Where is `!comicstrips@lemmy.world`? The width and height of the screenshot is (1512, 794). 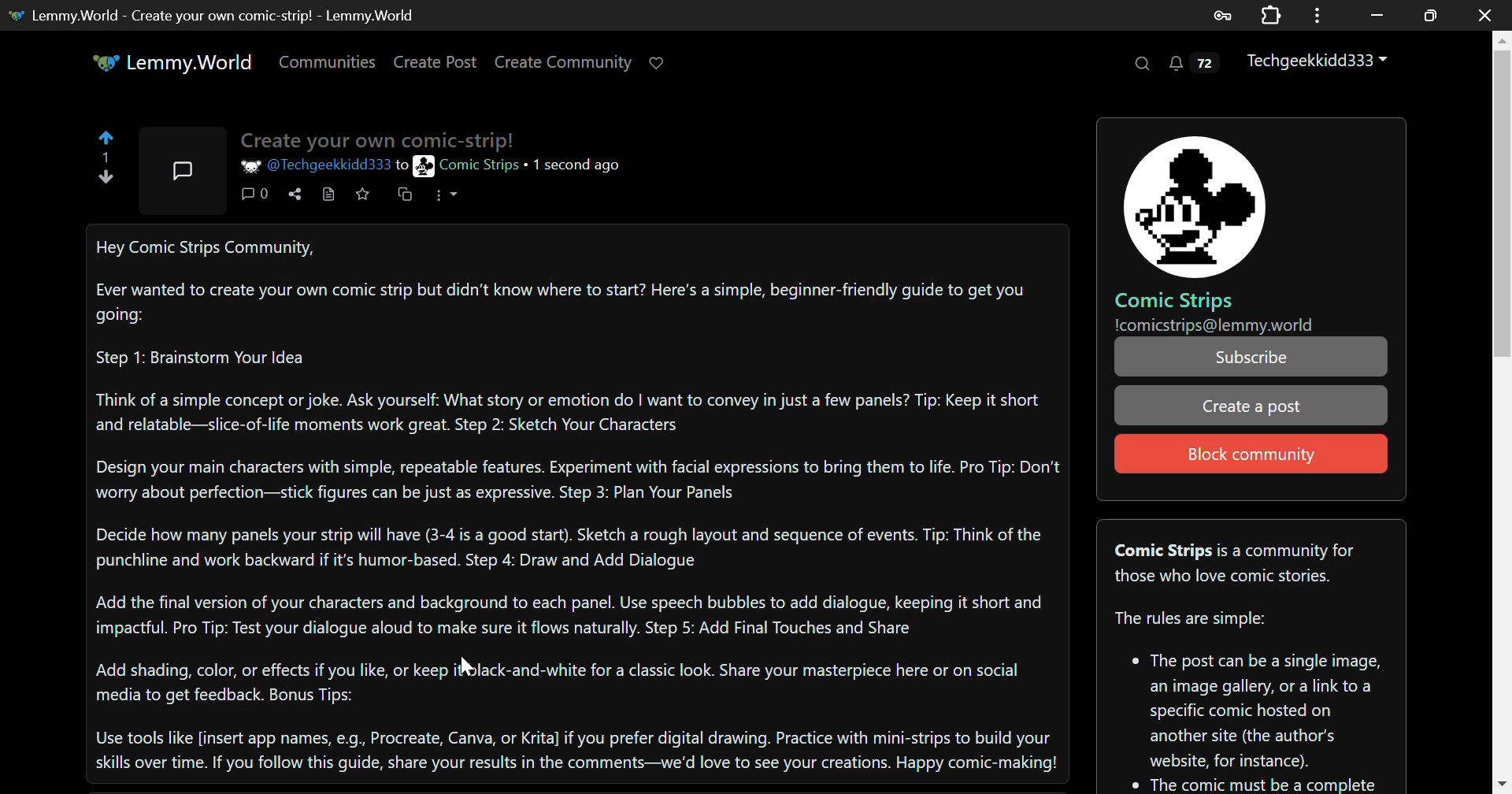 !comicstrips@lemmy.world is located at coordinates (1214, 325).